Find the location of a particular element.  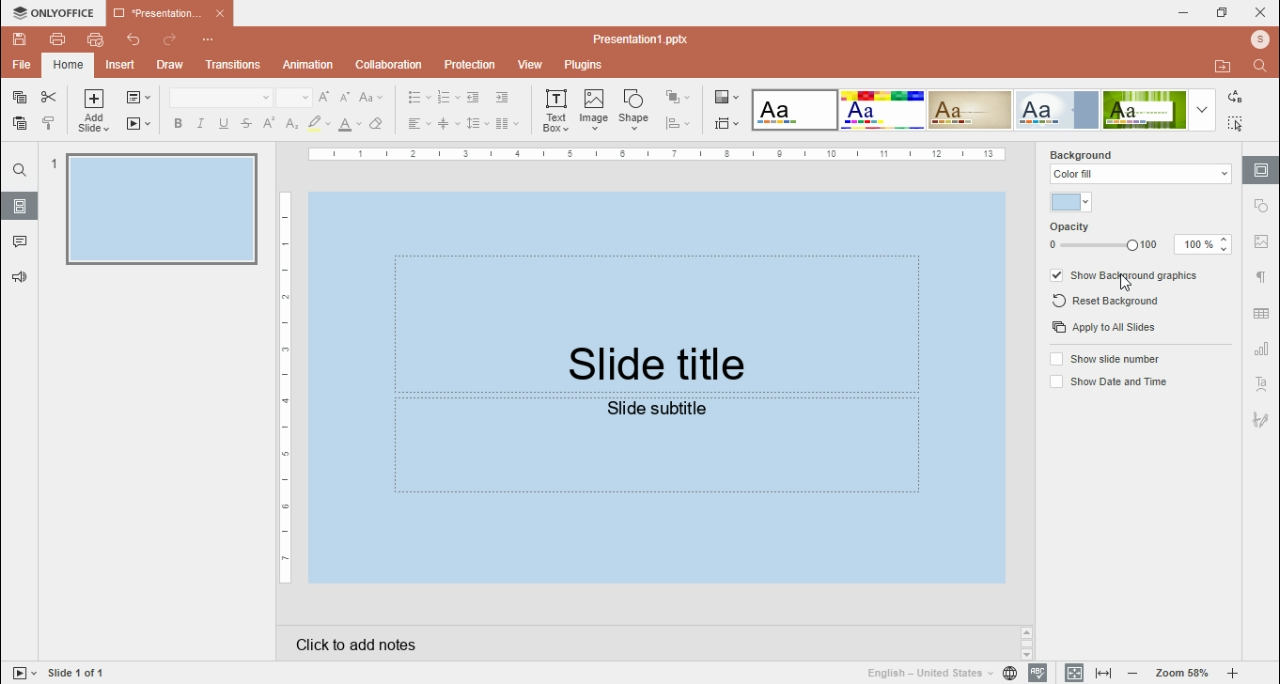

insert is located at coordinates (120, 66).